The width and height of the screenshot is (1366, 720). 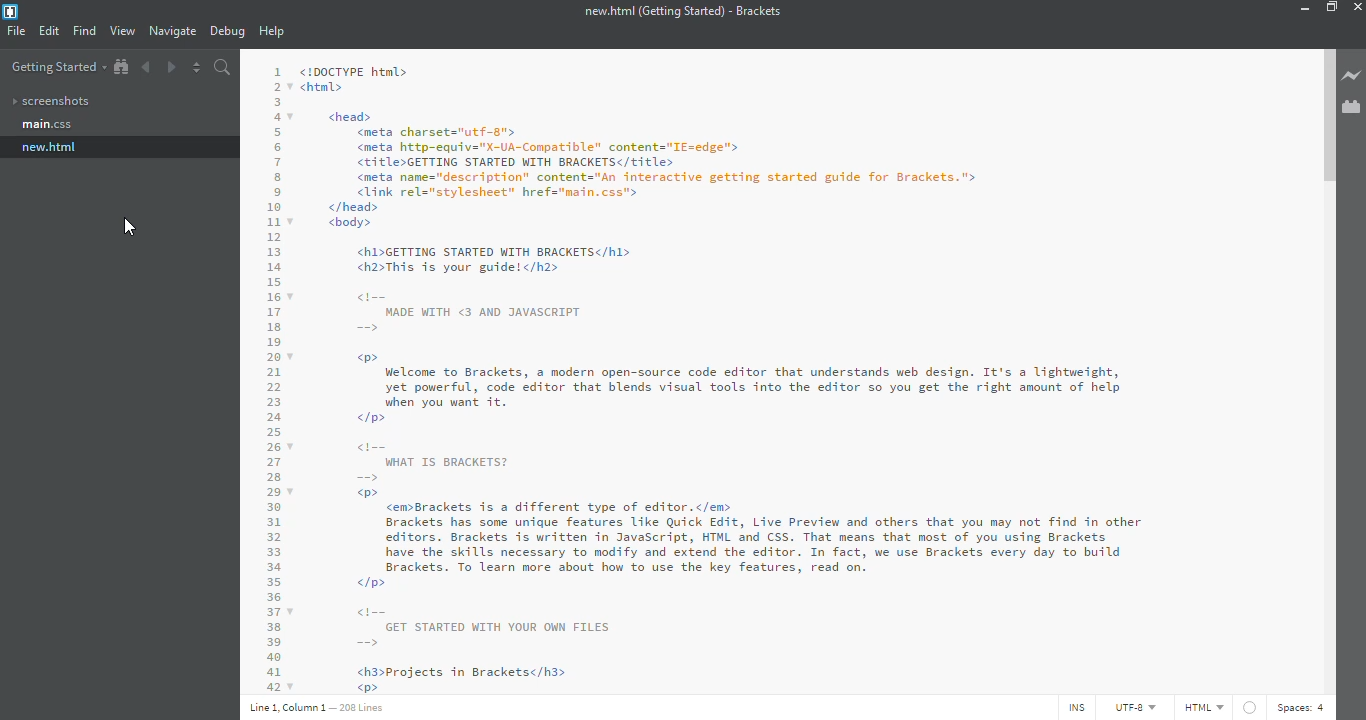 I want to click on debug, so click(x=227, y=32).